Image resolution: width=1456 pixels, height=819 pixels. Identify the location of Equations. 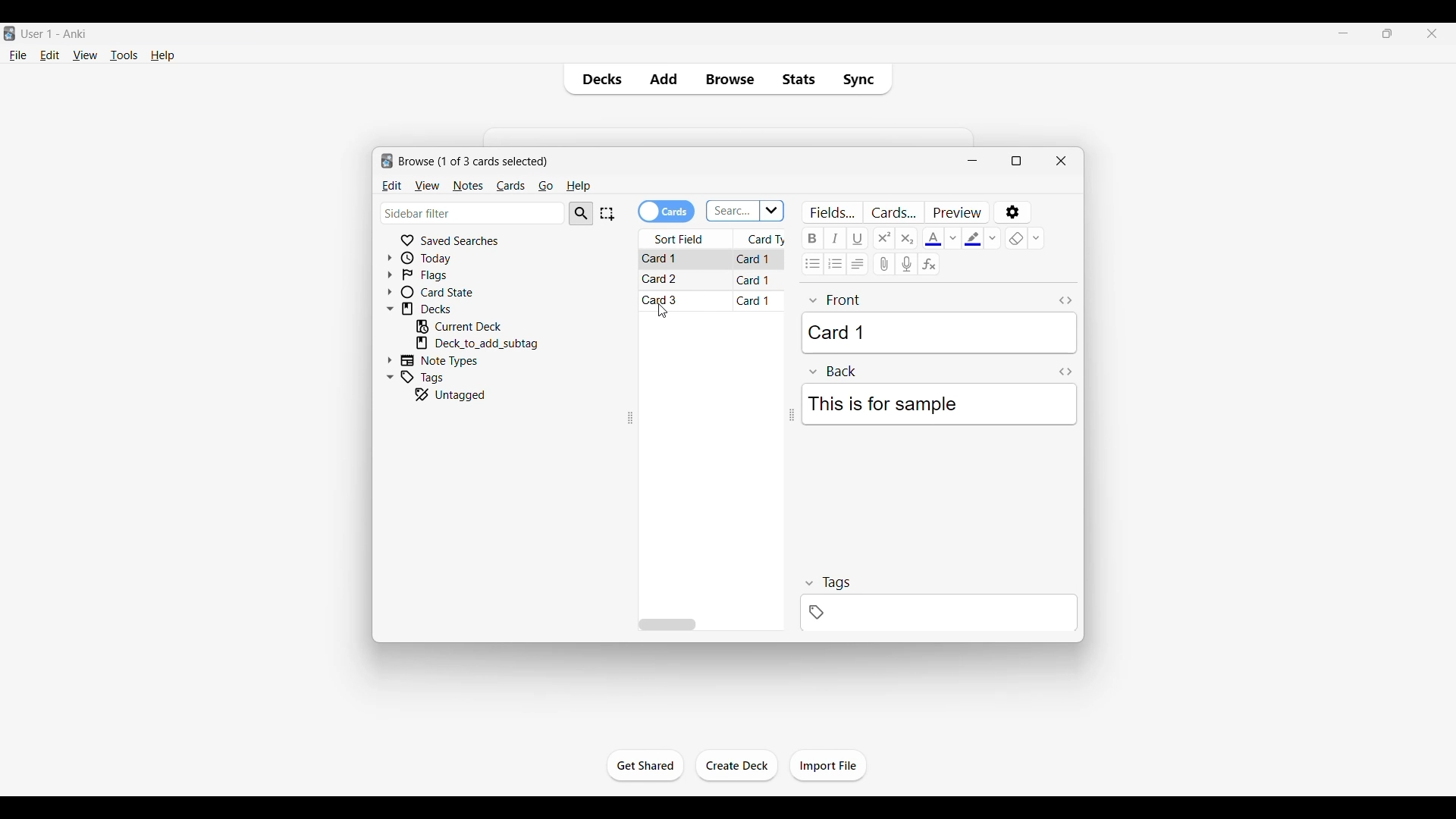
(929, 263).